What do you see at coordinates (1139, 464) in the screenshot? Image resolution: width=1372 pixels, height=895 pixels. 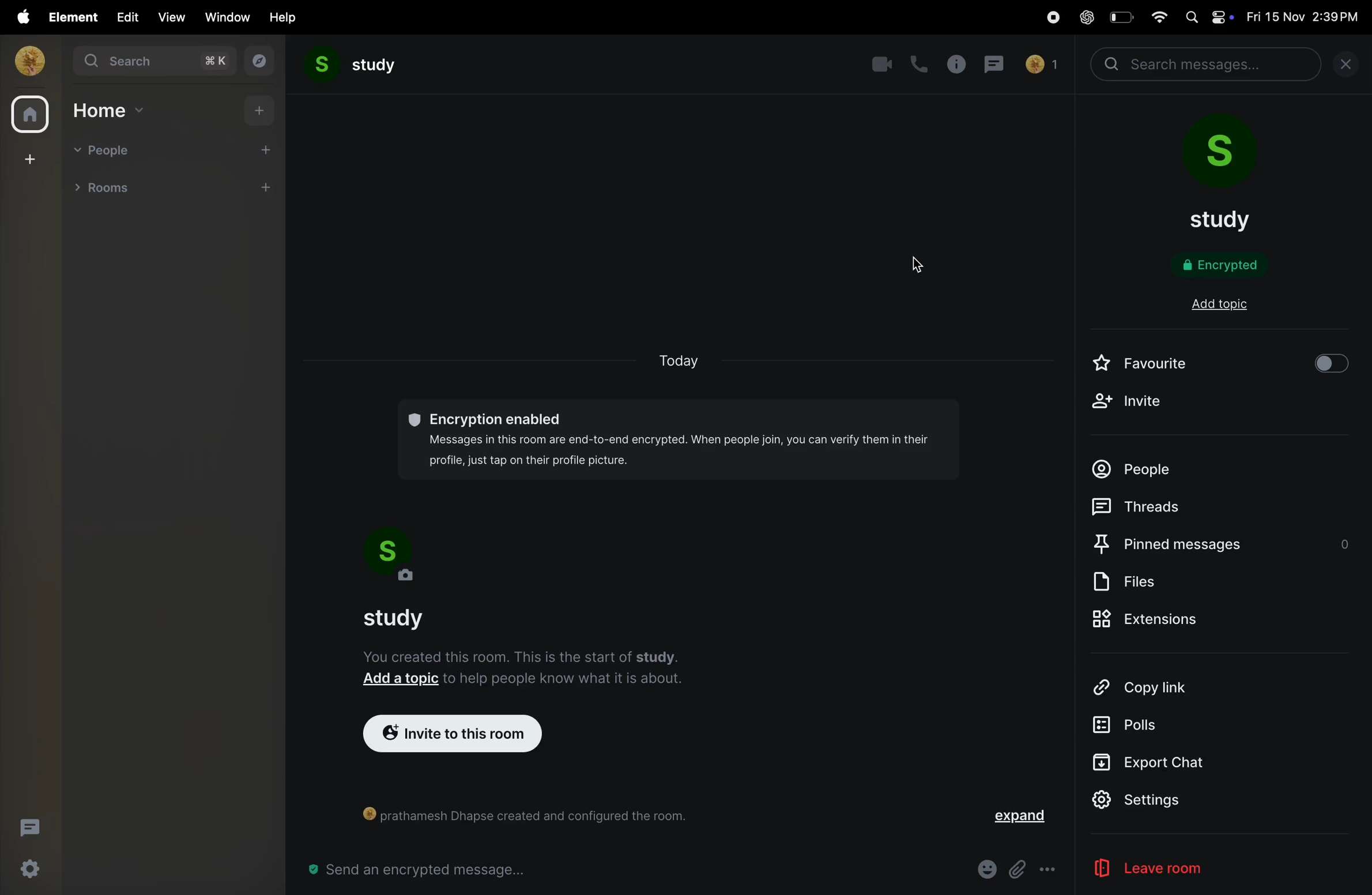 I see `people` at bounding box center [1139, 464].